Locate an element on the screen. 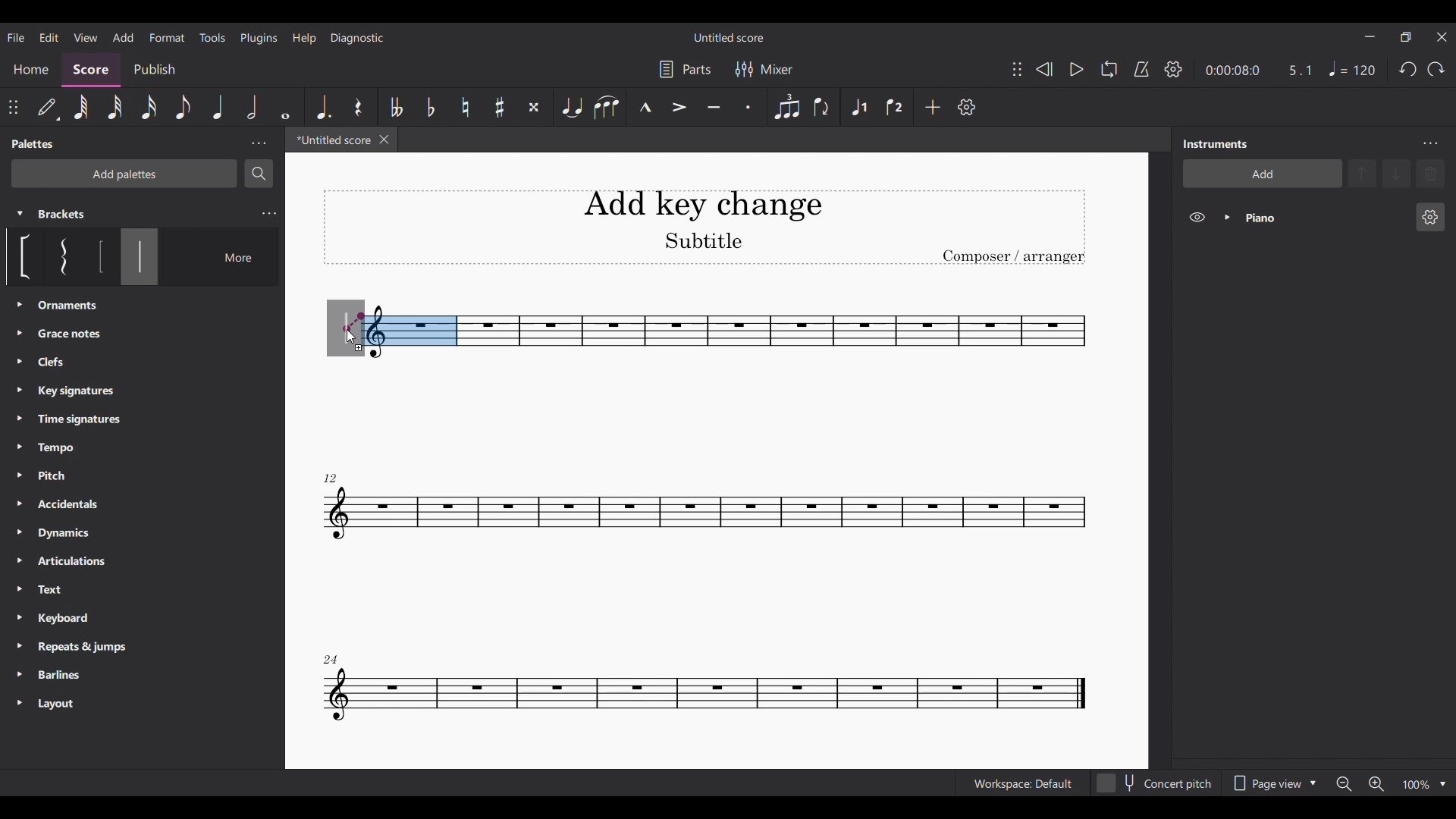 This screenshot has width=1456, height=819. Toggle double flat is located at coordinates (397, 107).